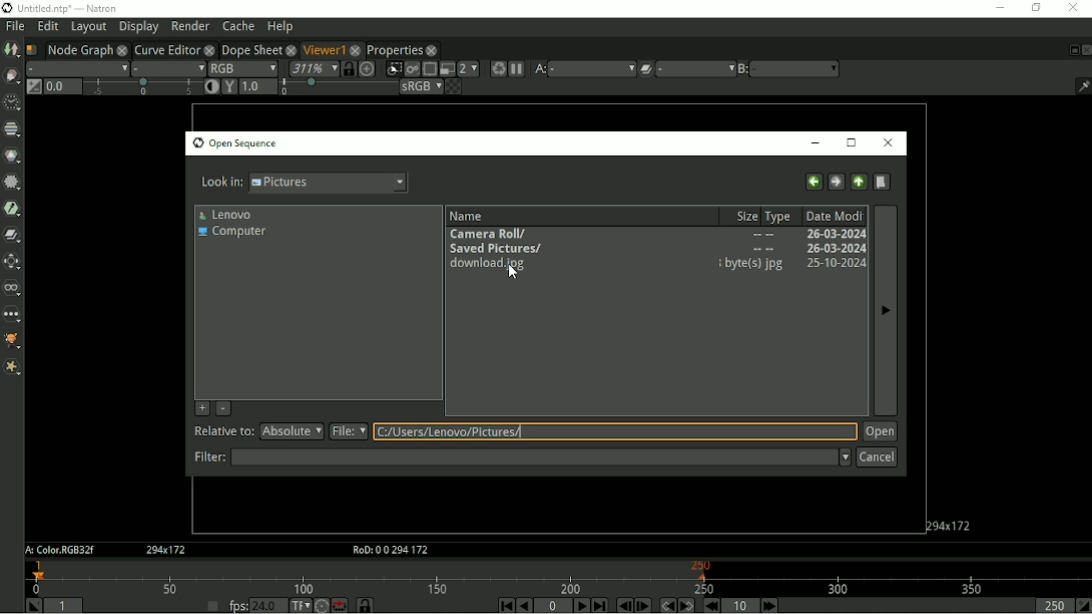  Describe the element at coordinates (299, 605) in the screenshot. I see `Set time display format` at that location.